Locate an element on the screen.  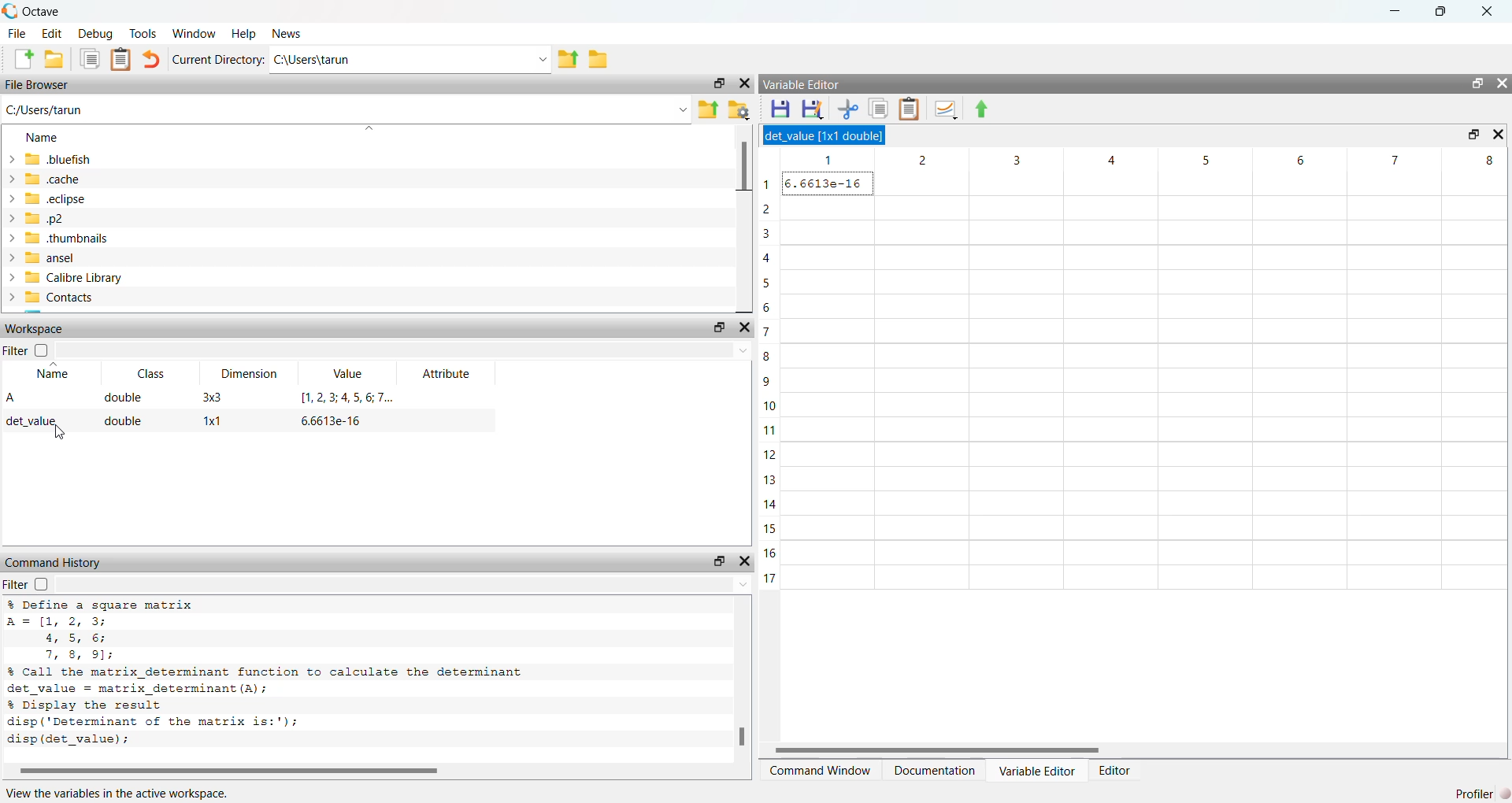
paste is located at coordinates (910, 110).